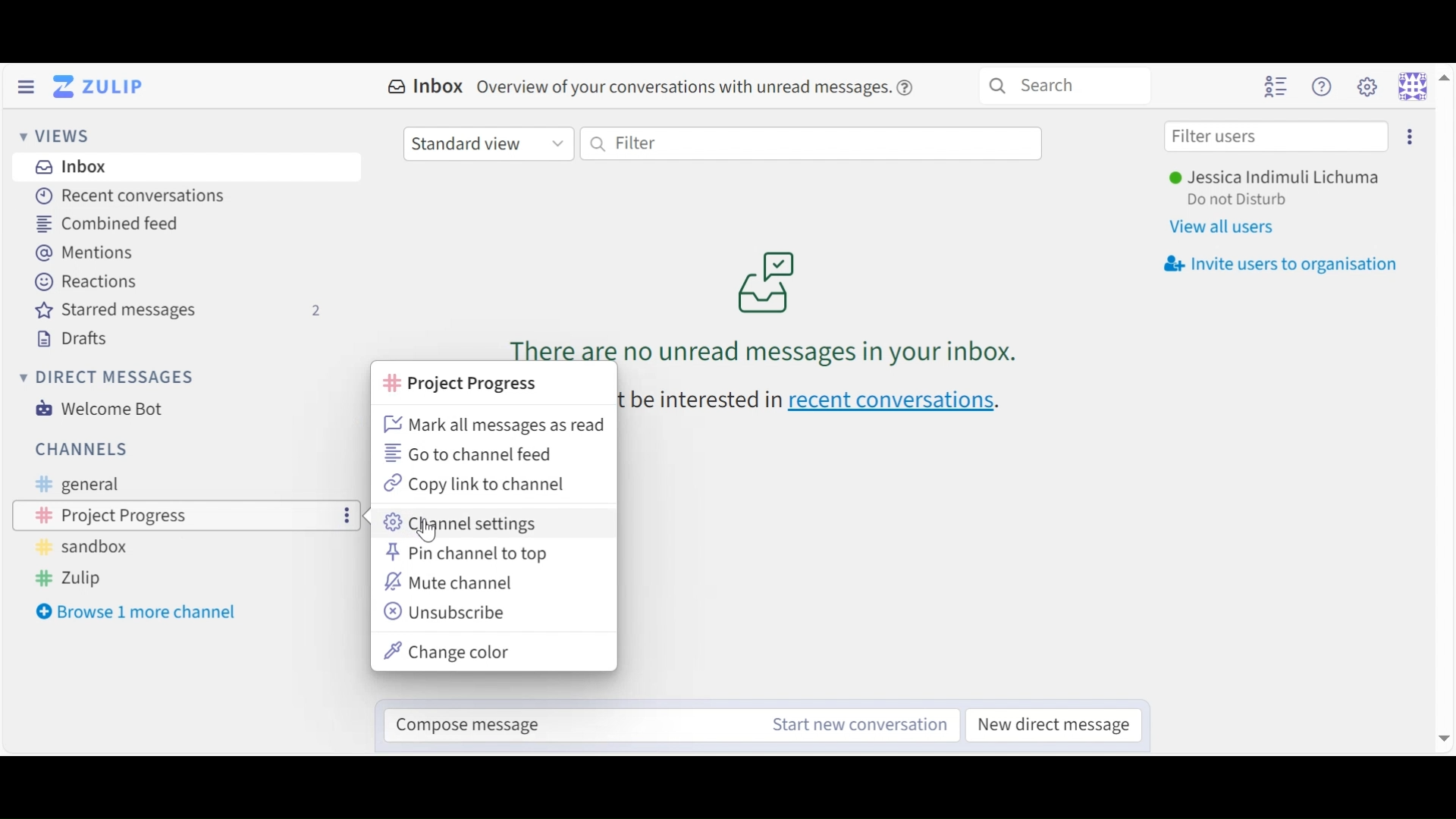  I want to click on # Zulip, so click(73, 580).